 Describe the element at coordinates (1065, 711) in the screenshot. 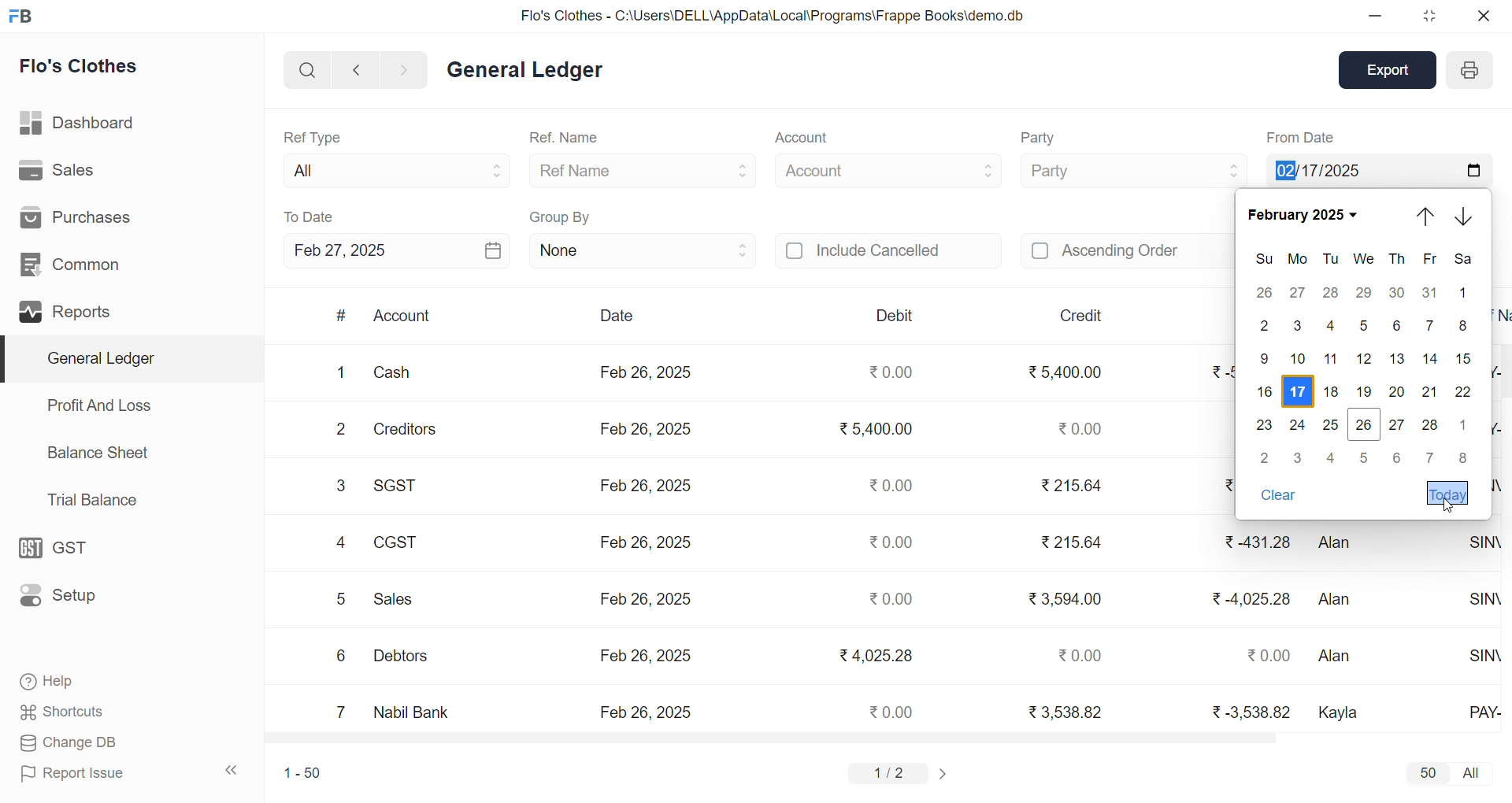

I see `₹ 3,538.82` at that location.